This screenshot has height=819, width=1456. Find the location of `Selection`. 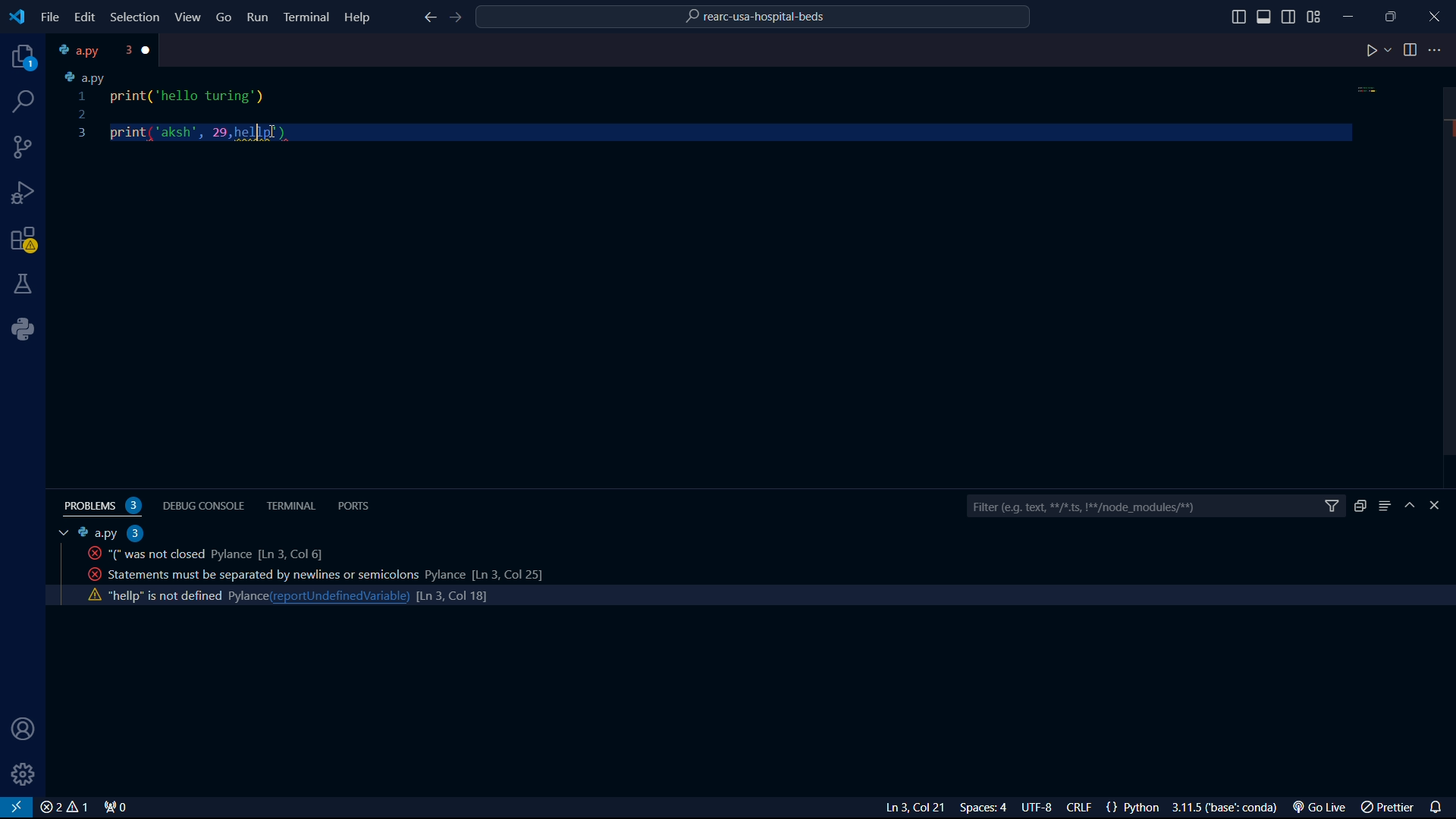

Selection is located at coordinates (137, 18).